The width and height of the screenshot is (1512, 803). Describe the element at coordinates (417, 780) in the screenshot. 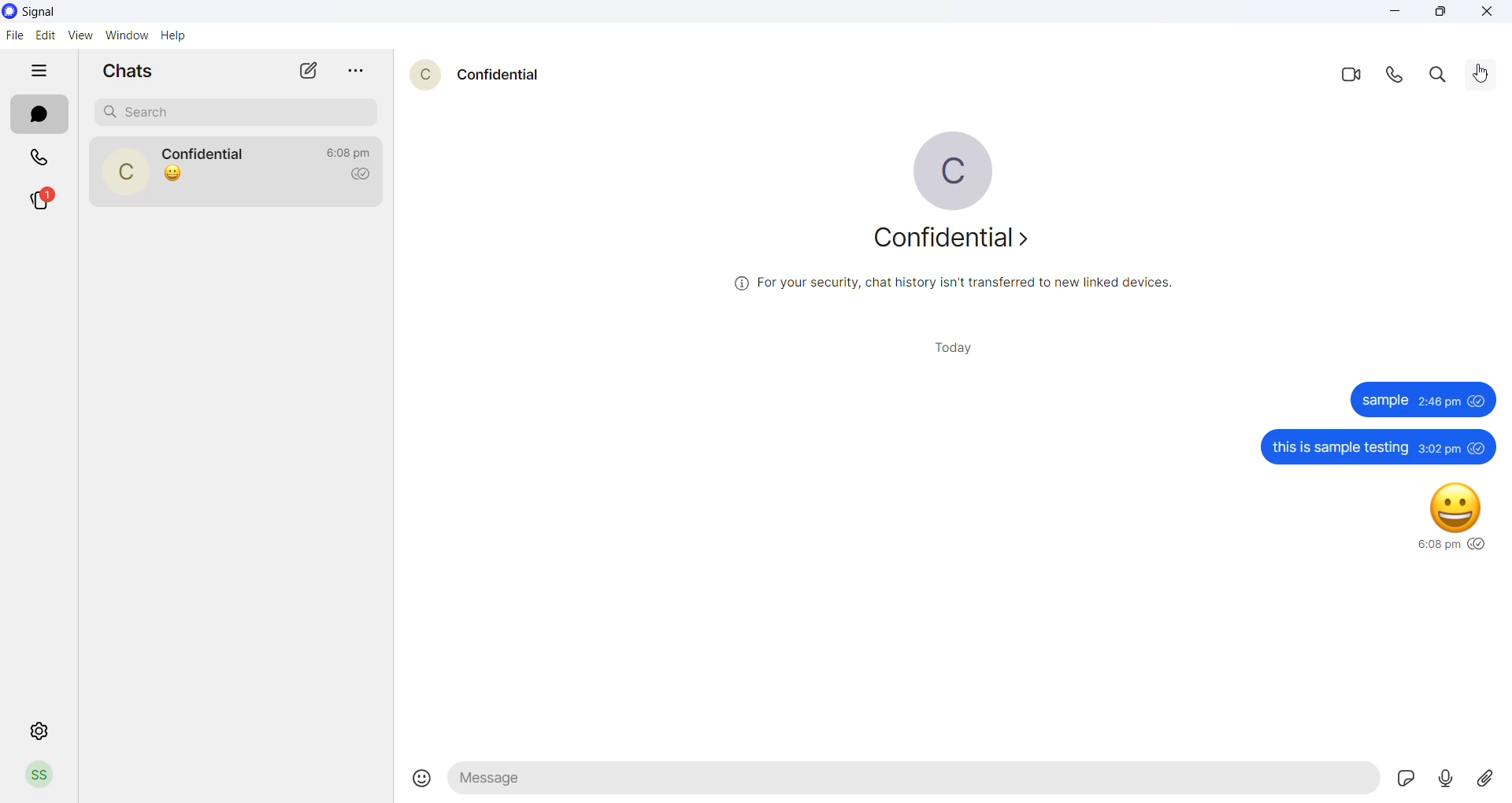

I see `emojis` at that location.